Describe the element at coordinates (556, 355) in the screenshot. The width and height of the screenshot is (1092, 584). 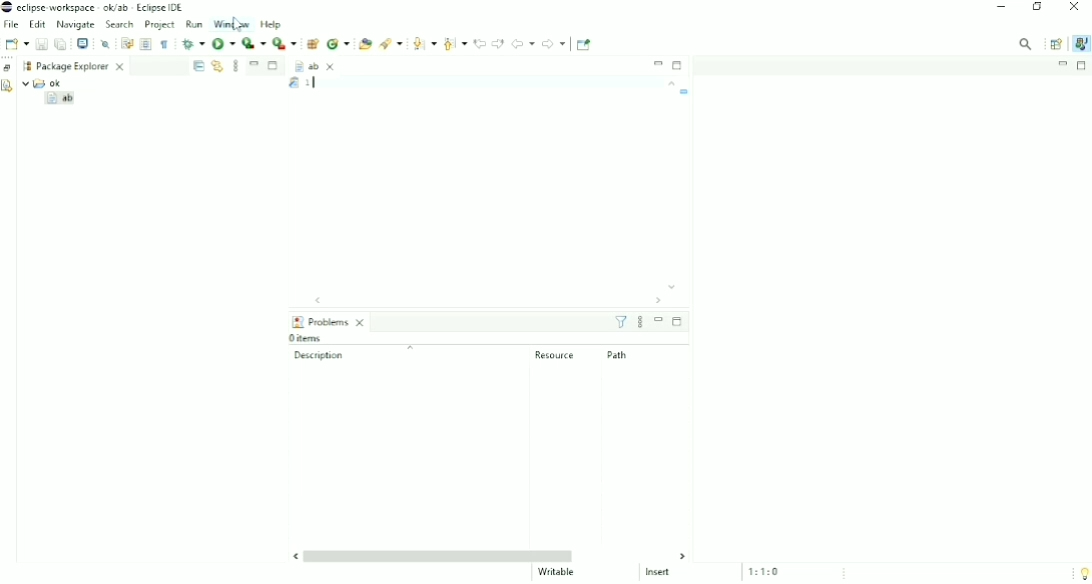
I see `Resource` at that location.